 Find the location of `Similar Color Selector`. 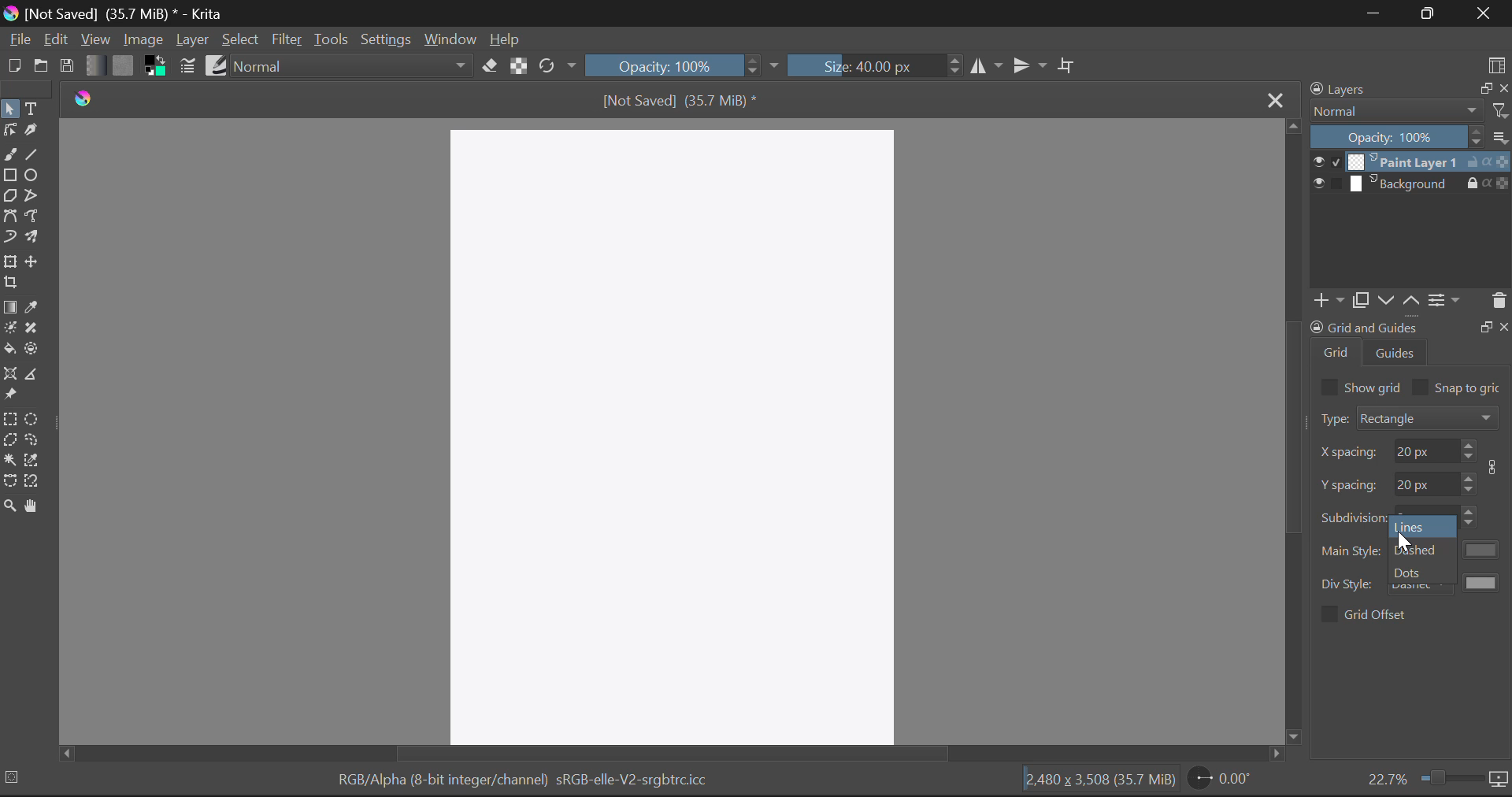

Similar Color Selector is located at coordinates (32, 459).